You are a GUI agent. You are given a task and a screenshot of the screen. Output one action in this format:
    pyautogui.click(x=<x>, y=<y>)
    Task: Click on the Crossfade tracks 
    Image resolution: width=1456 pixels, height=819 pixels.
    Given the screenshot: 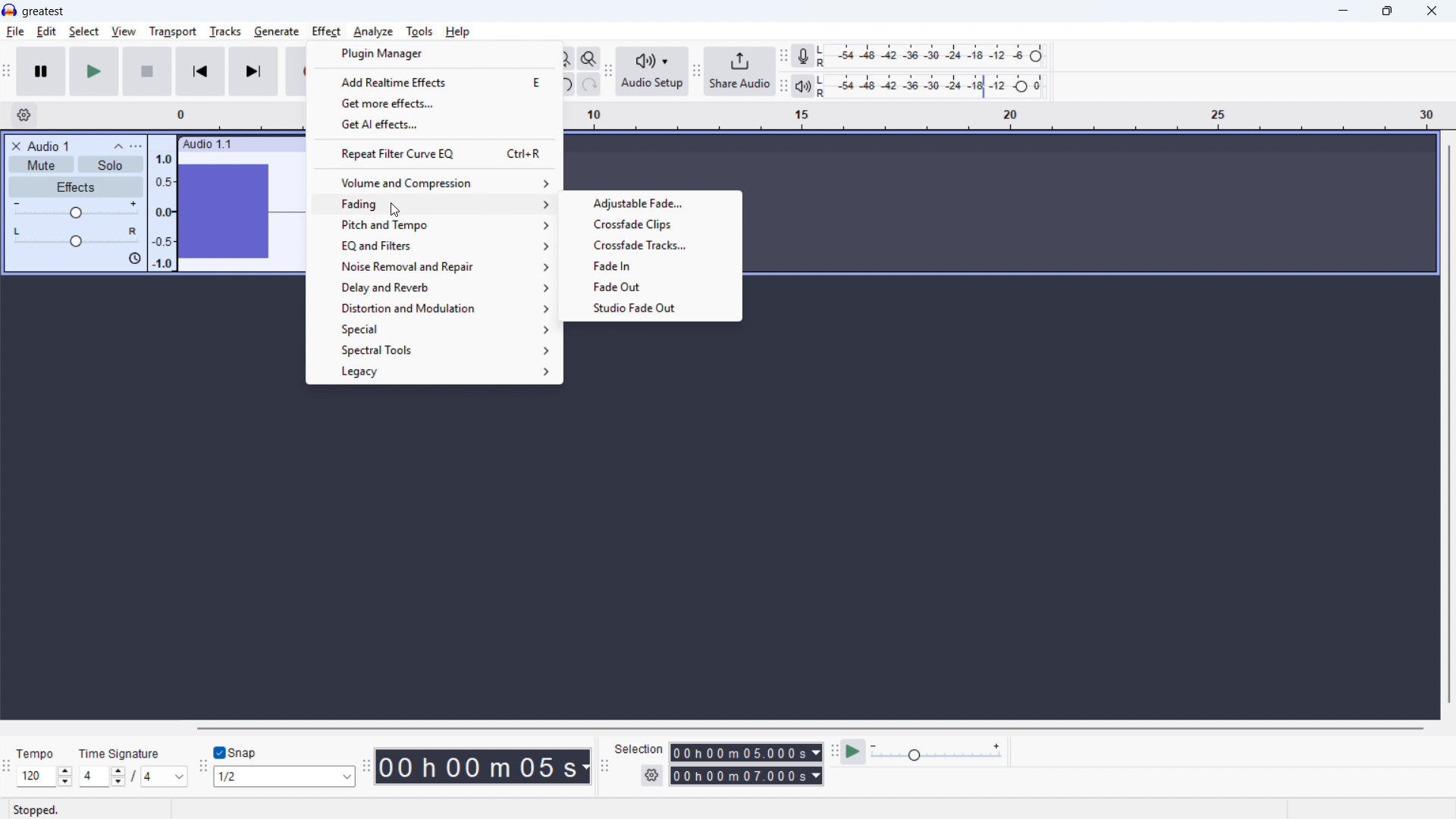 What is the action you would take?
    pyautogui.click(x=652, y=243)
    